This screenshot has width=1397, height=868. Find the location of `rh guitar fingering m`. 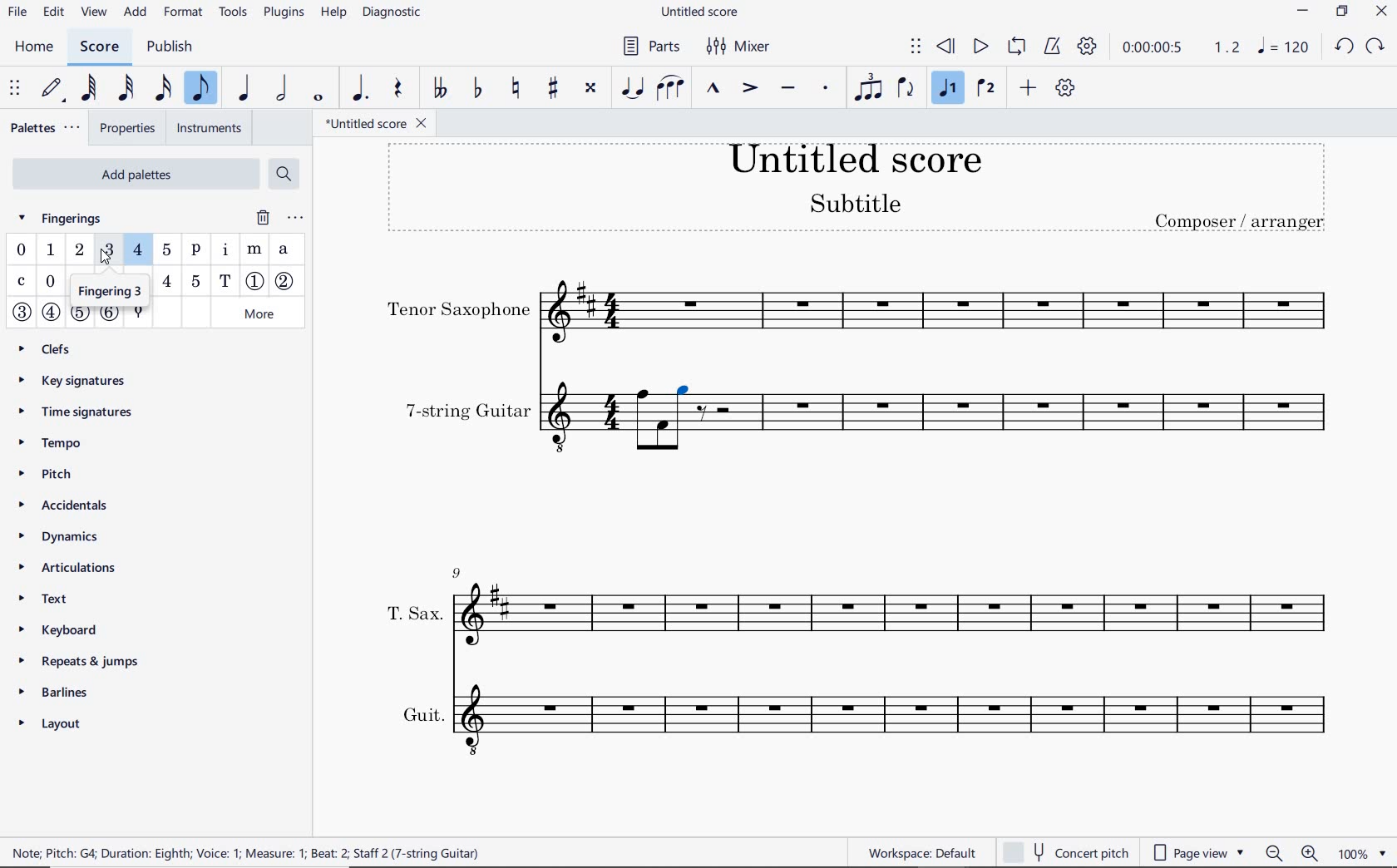

rh guitar fingering m is located at coordinates (255, 250).